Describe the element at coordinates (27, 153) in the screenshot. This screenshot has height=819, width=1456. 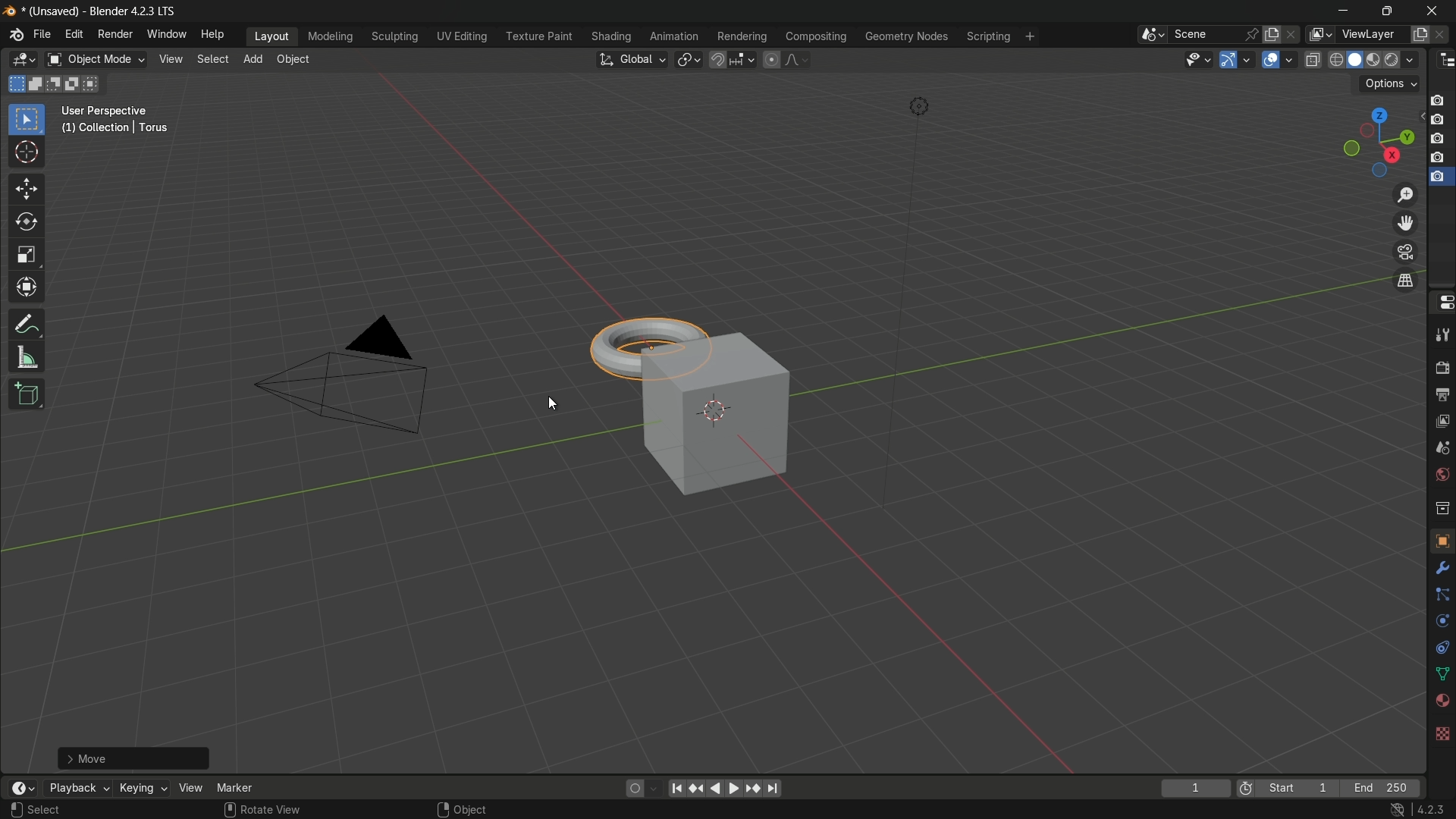
I see `cursor` at that location.